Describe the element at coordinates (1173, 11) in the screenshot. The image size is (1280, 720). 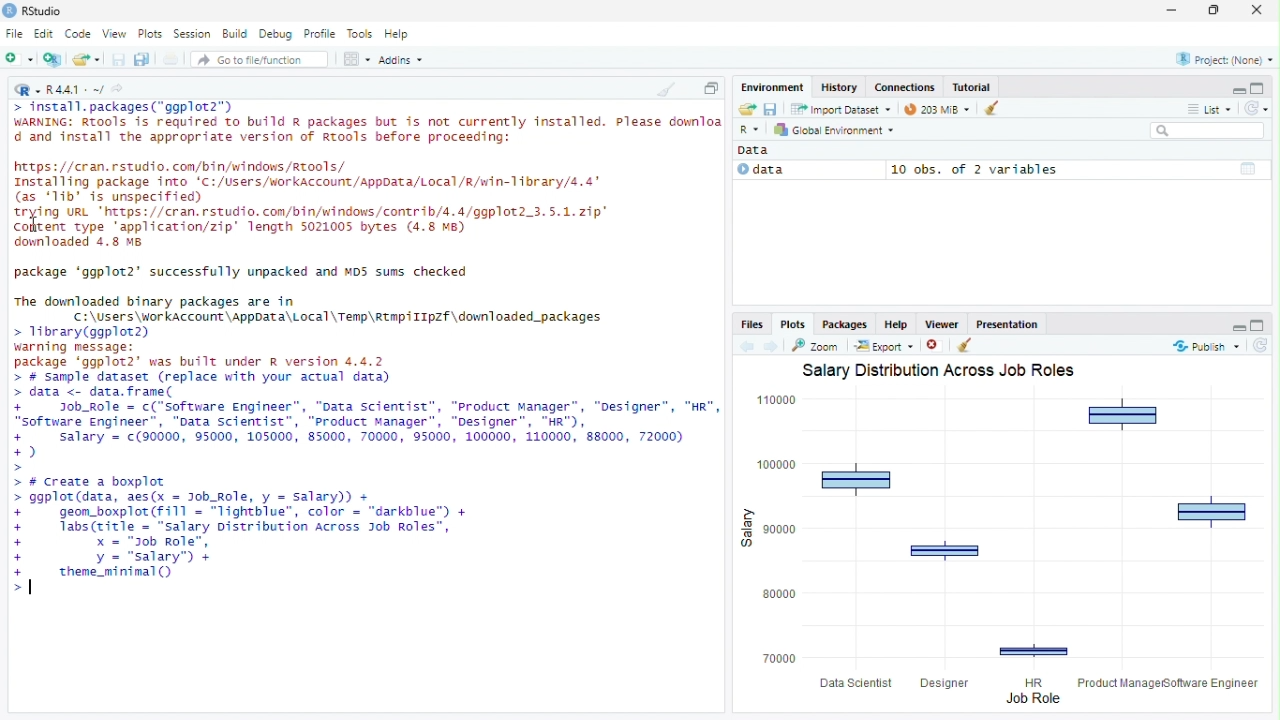
I see `minimize` at that location.